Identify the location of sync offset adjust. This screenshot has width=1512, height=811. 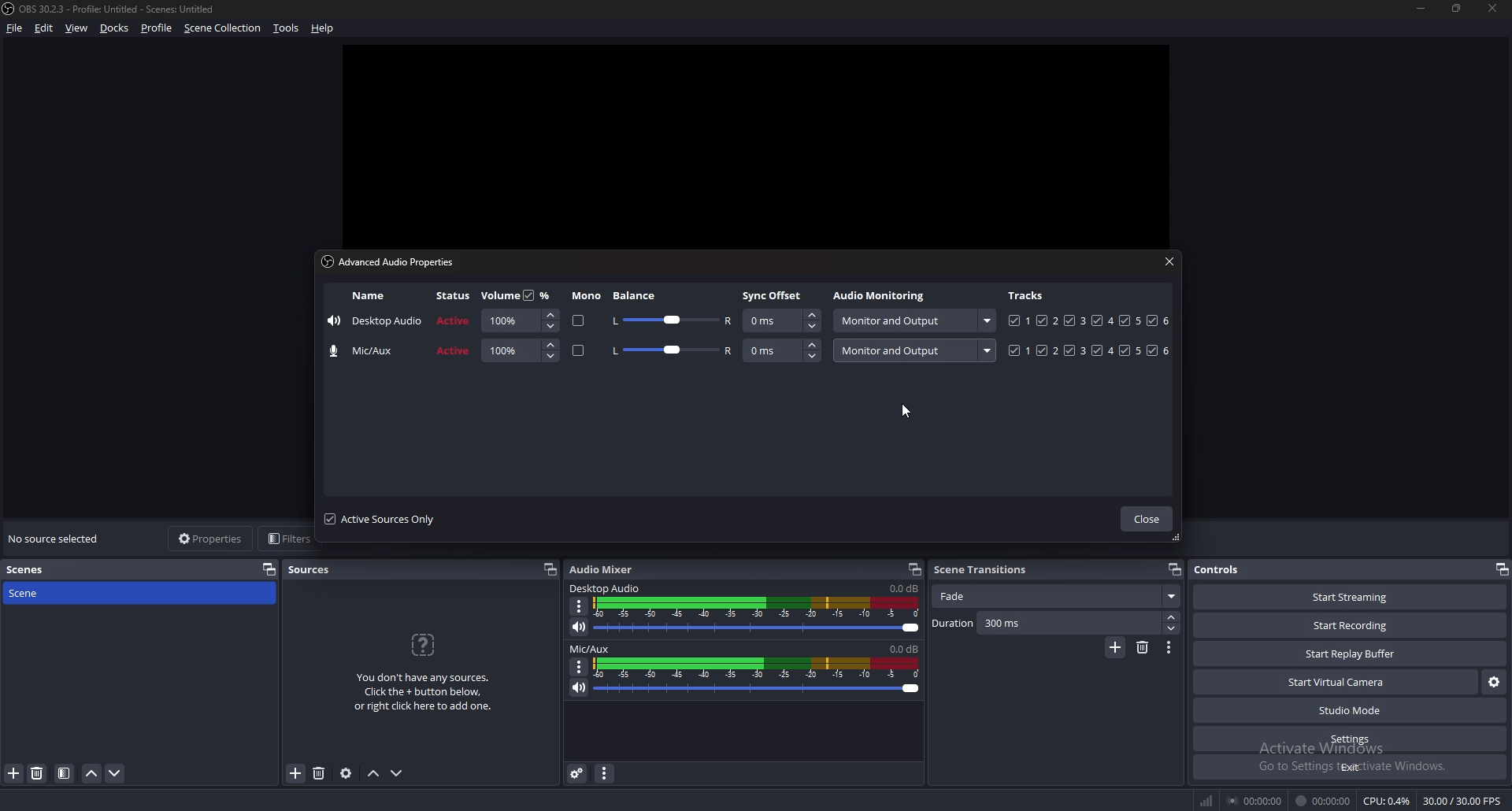
(781, 320).